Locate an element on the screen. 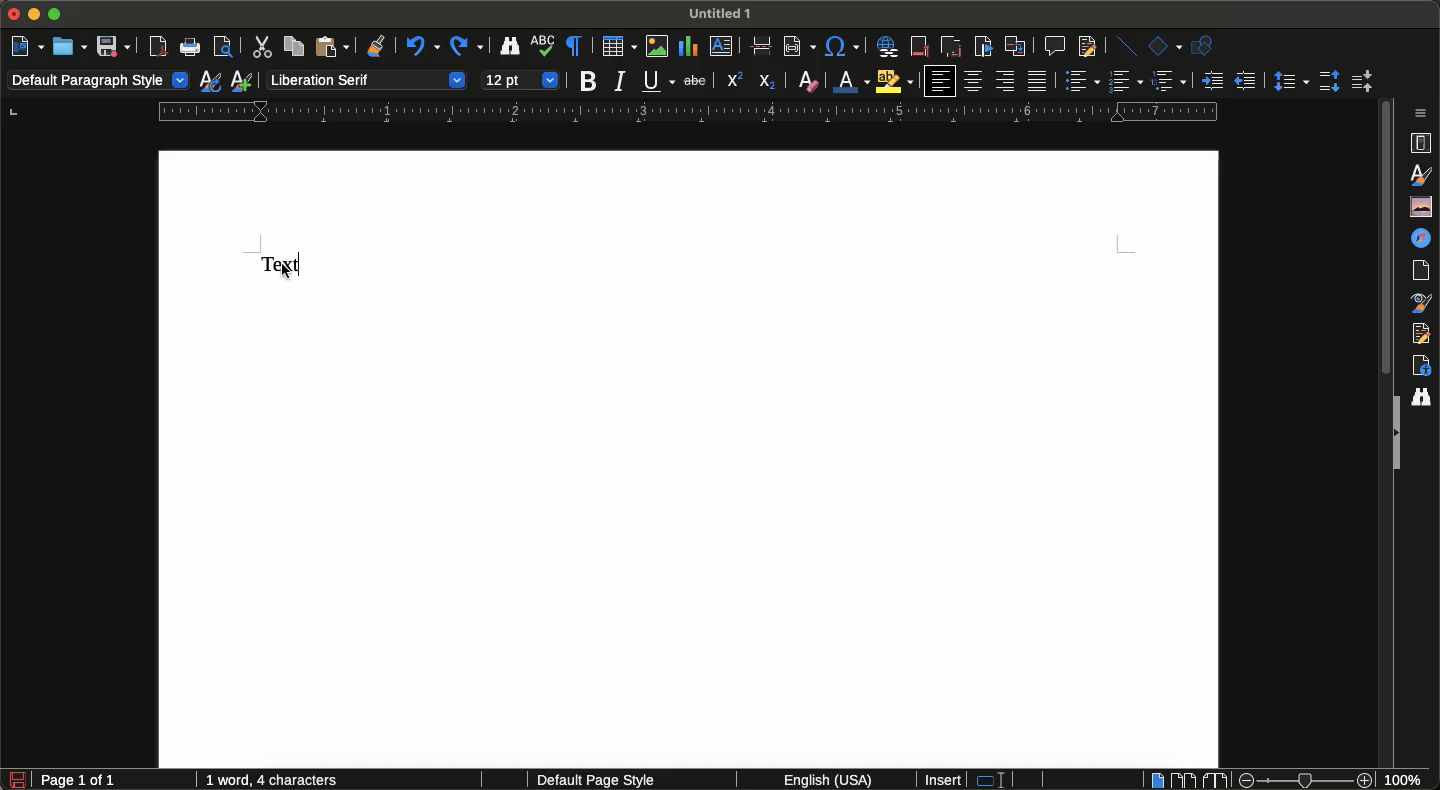 The width and height of the screenshot is (1440, 790). Clone formatting is located at coordinates (378, 48).